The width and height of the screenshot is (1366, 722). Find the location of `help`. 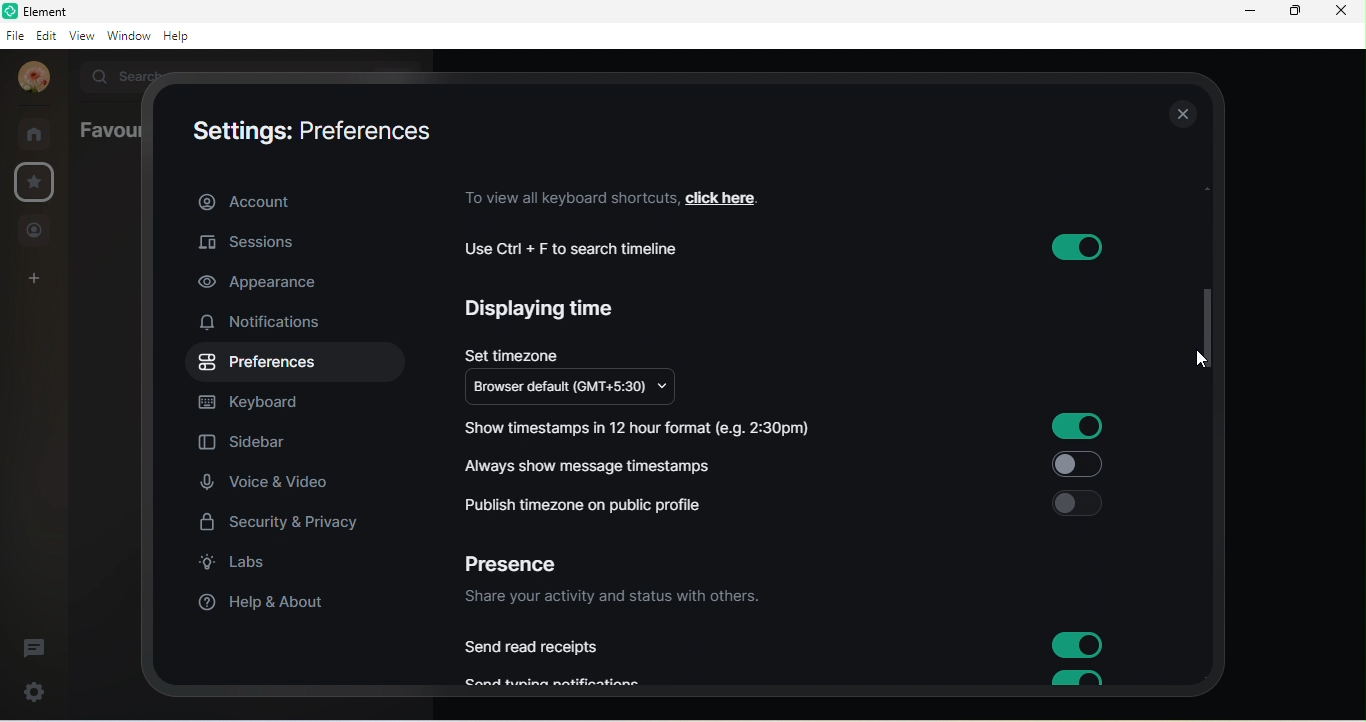

help is located at coordinates (183, 38).